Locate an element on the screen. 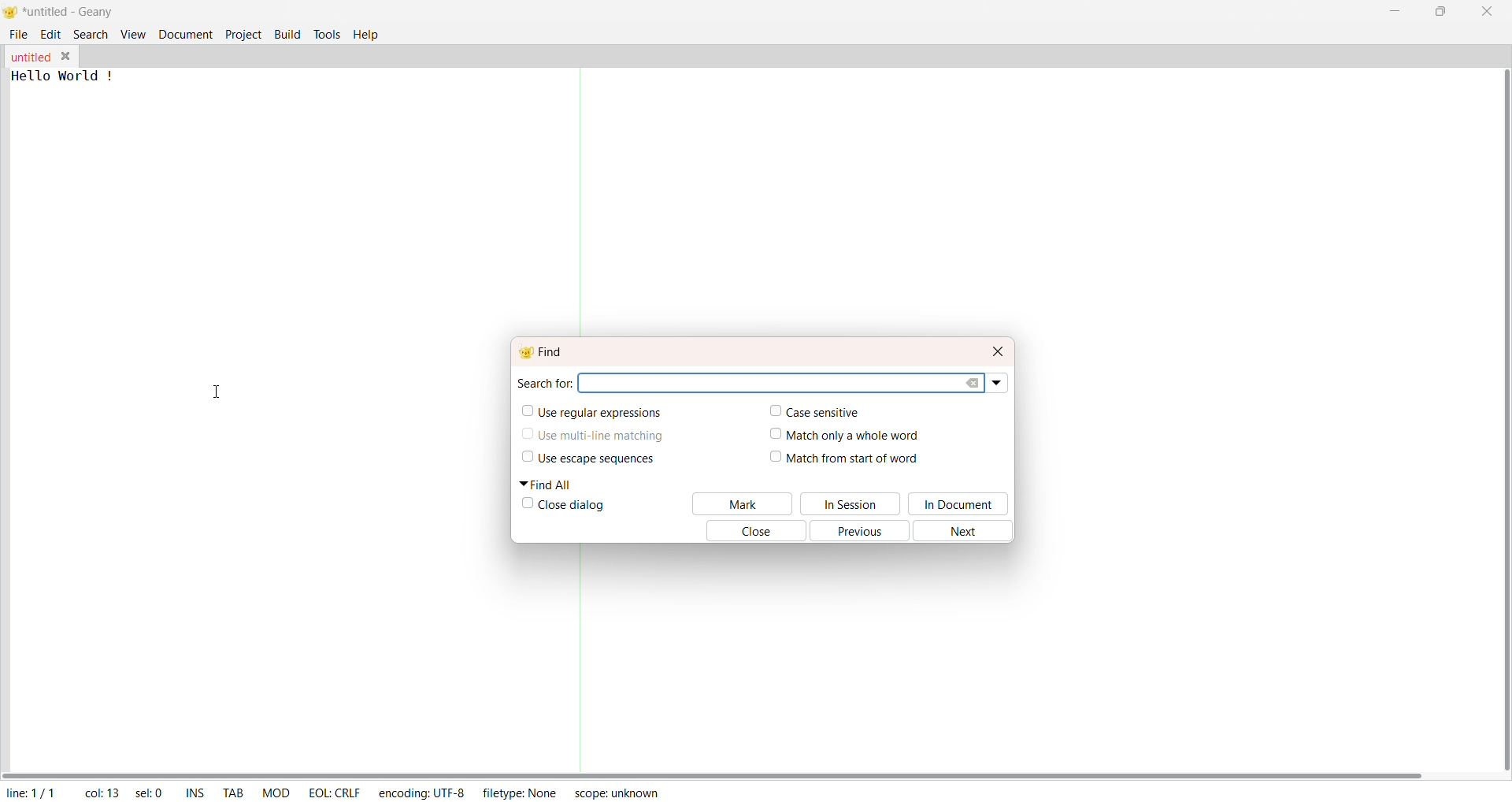 The height and width of the screenshot is (802, 1512). Close Dialog Box is located at coordinates (998, 350).